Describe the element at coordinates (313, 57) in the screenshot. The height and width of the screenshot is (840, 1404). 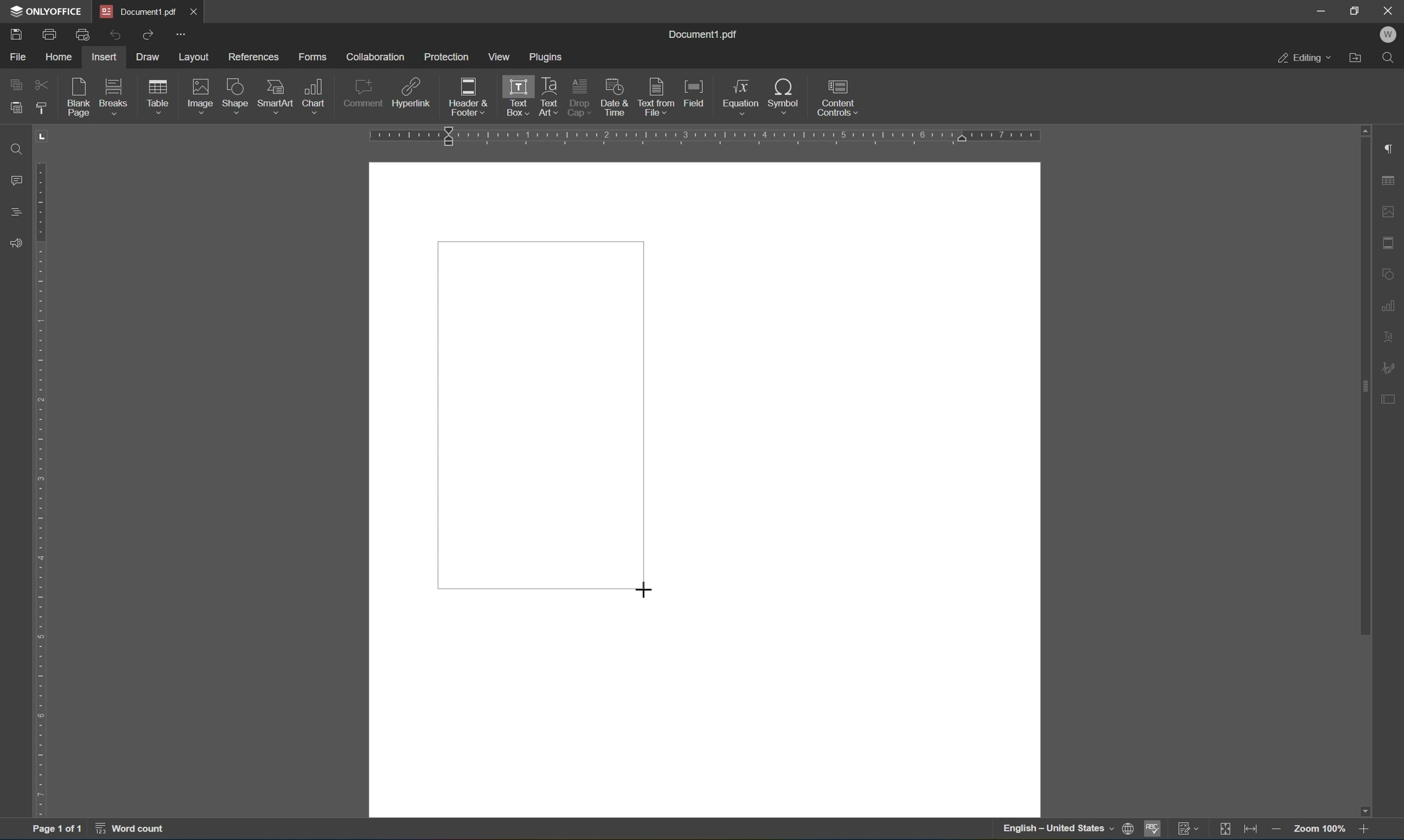
I see `forms` at that location.